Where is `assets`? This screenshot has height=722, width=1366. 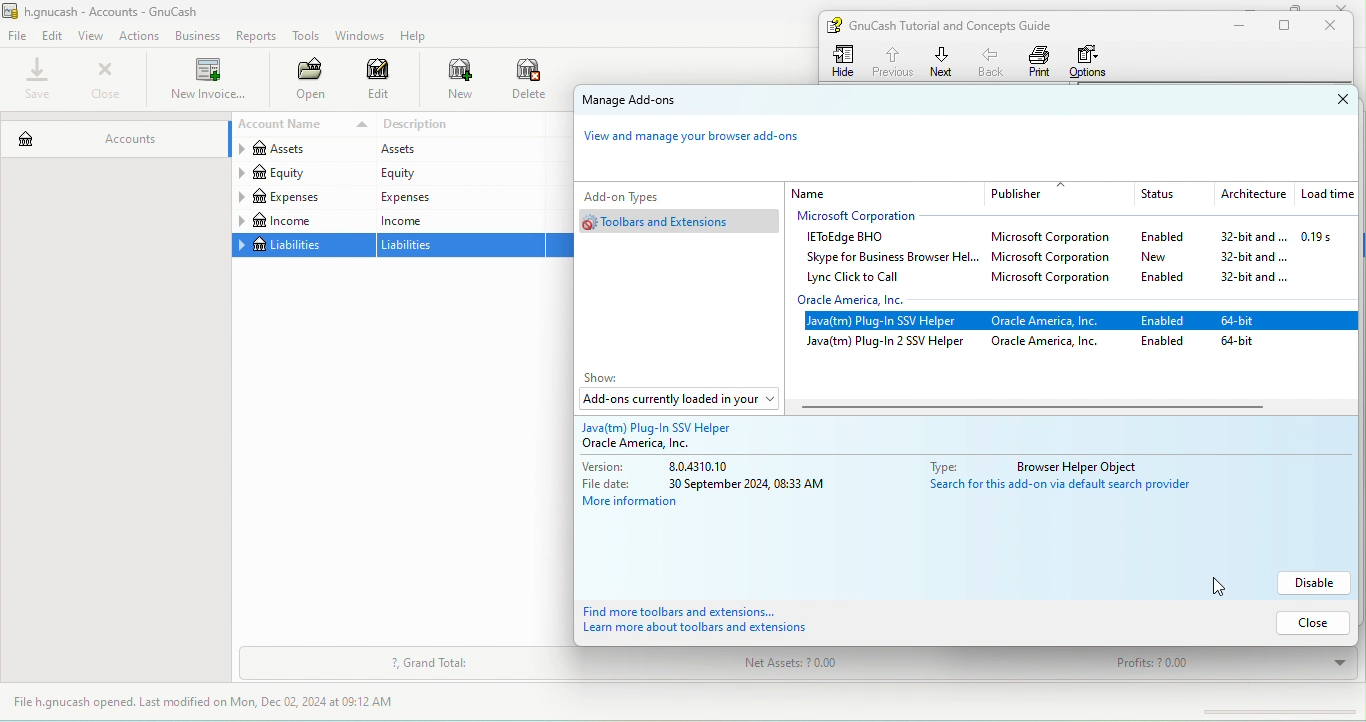
assets is located at coordinates (300, 151).